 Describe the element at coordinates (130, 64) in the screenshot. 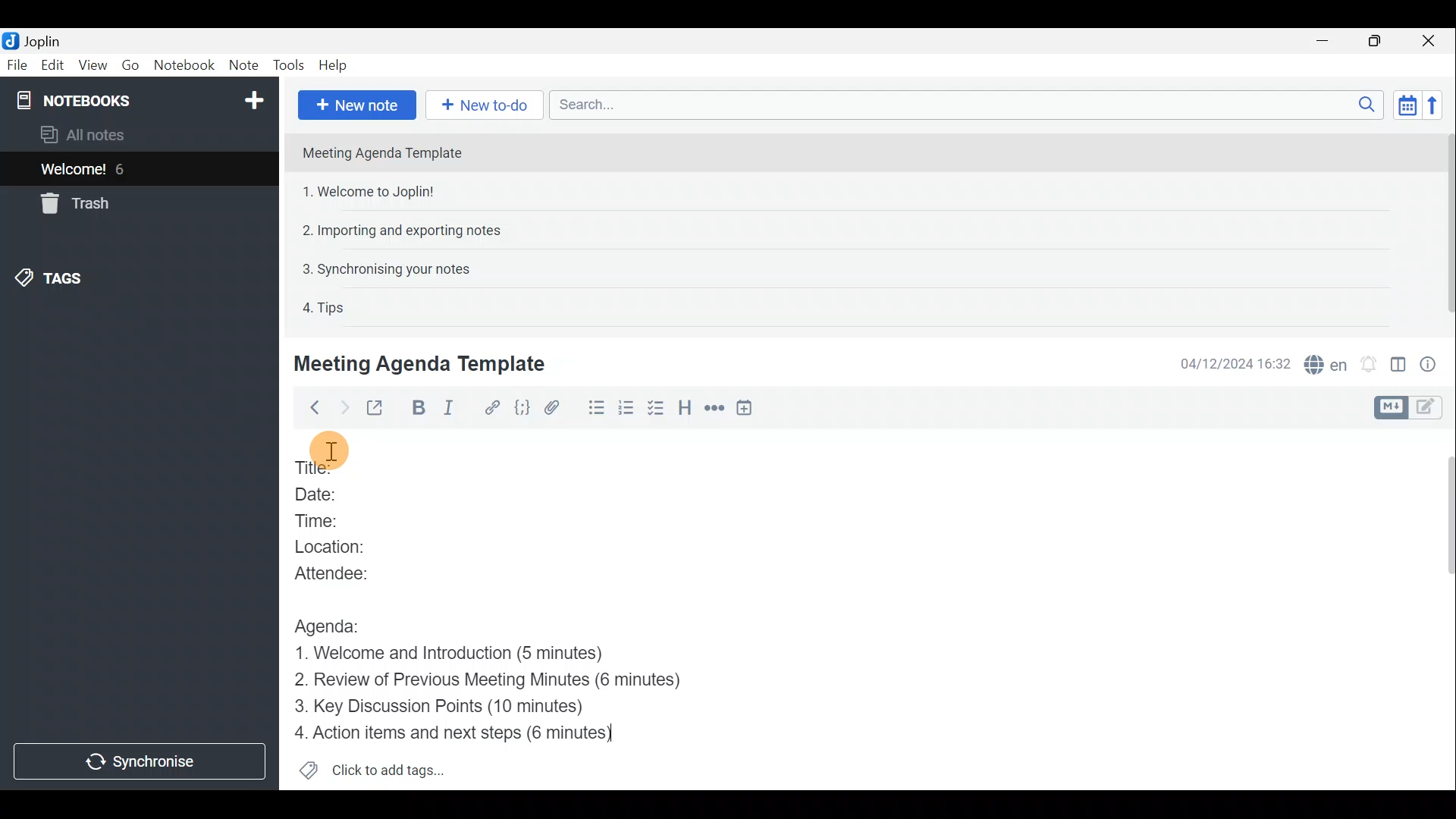

I see `Go` at that location.